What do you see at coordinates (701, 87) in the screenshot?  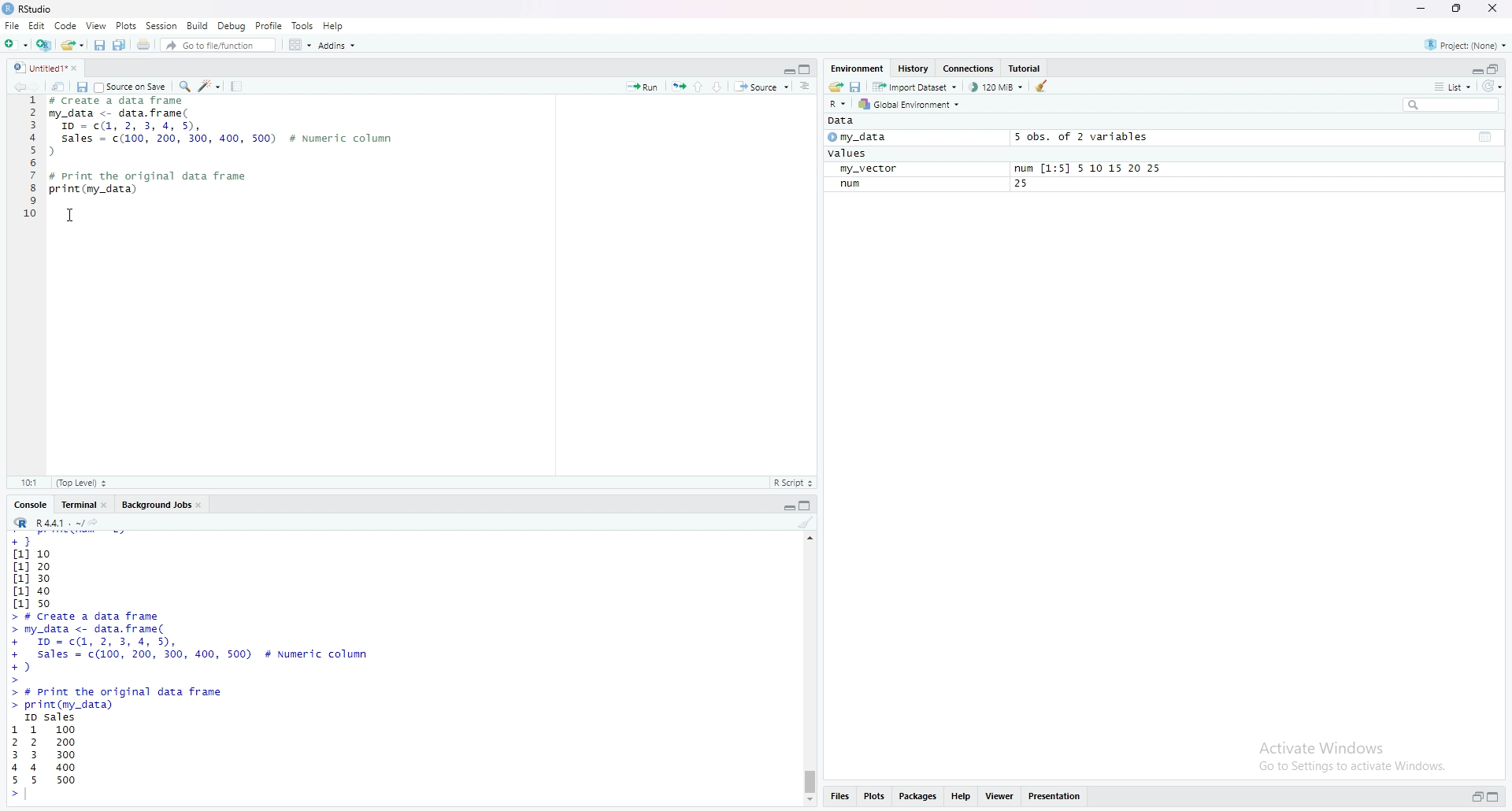 I see `go to previous section/chunk` at bounding box center [701, 87].